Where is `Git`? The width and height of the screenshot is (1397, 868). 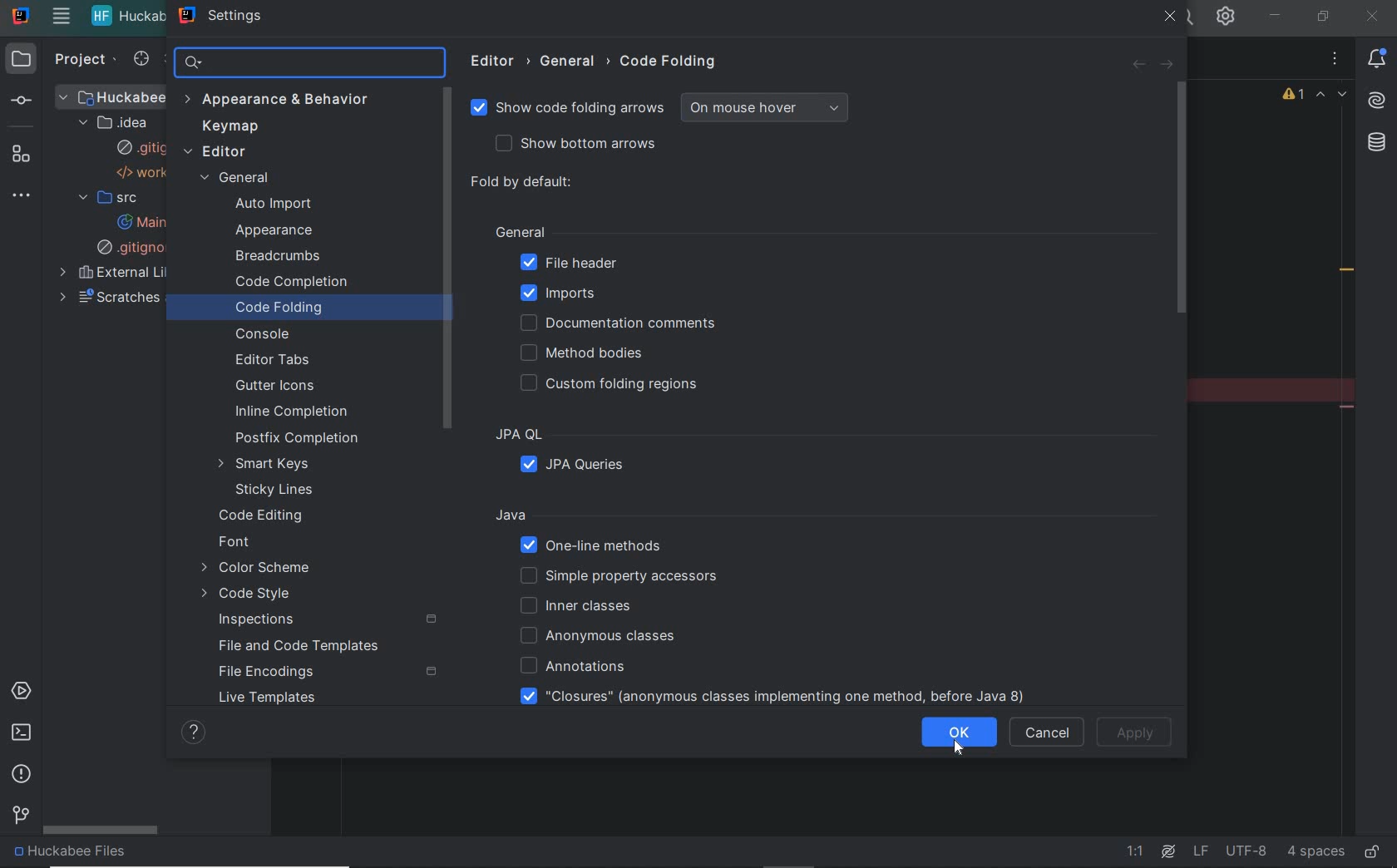 Git is located at coordinates (19, 817).